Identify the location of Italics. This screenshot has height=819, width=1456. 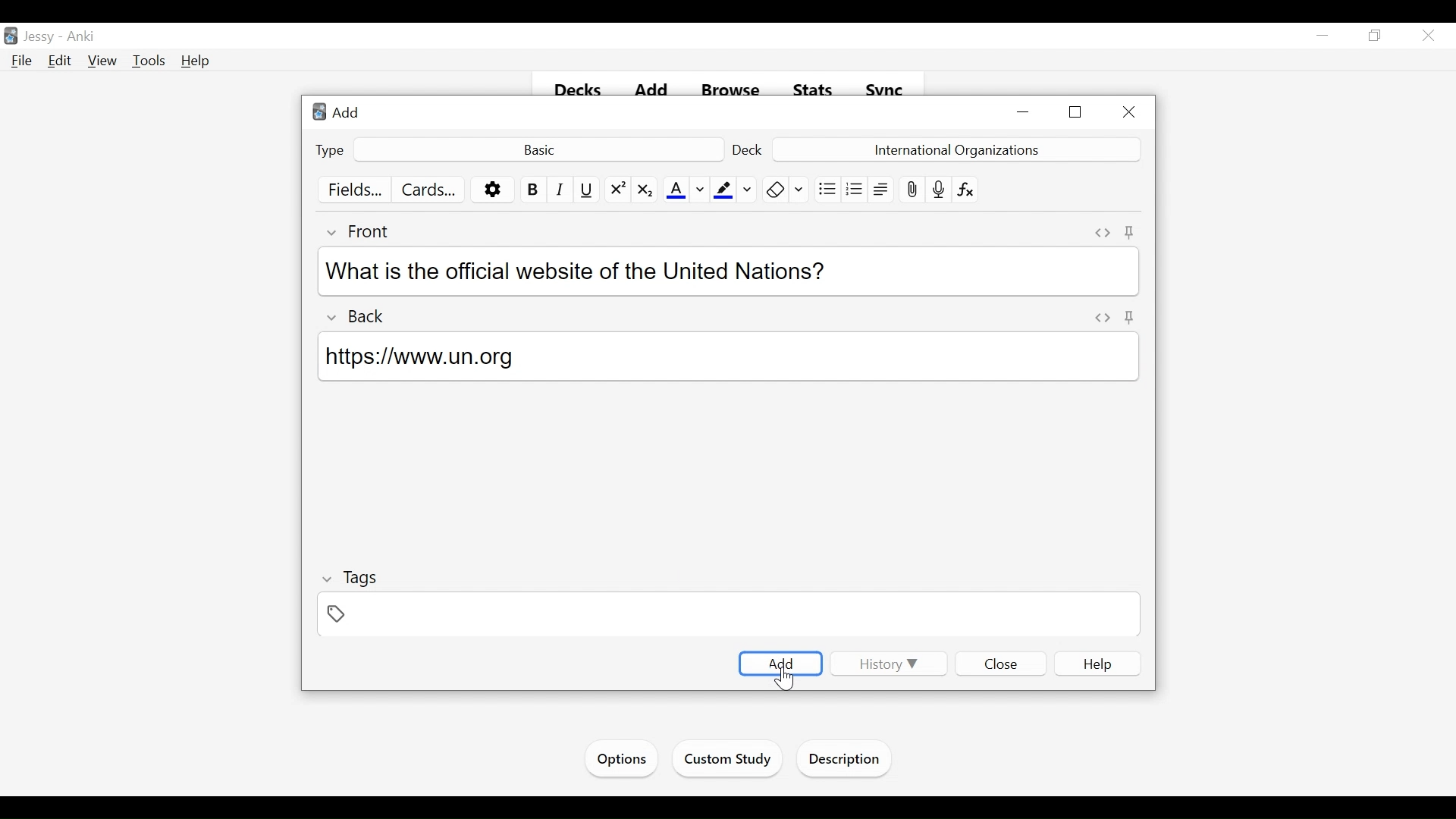
(560, 190).